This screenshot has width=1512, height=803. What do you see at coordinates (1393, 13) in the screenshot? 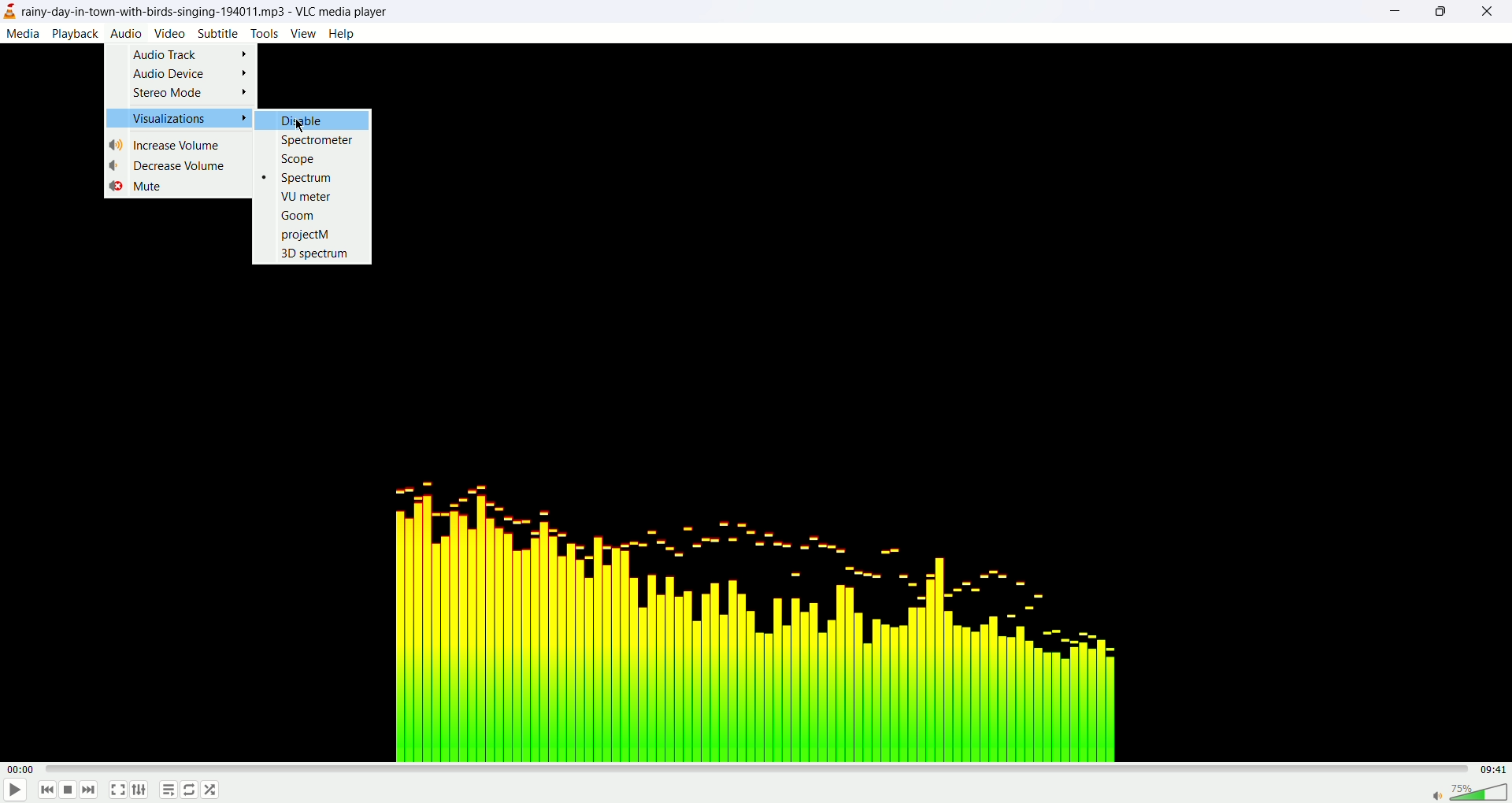
I see `minimize` at bounding box center [1393, 13].